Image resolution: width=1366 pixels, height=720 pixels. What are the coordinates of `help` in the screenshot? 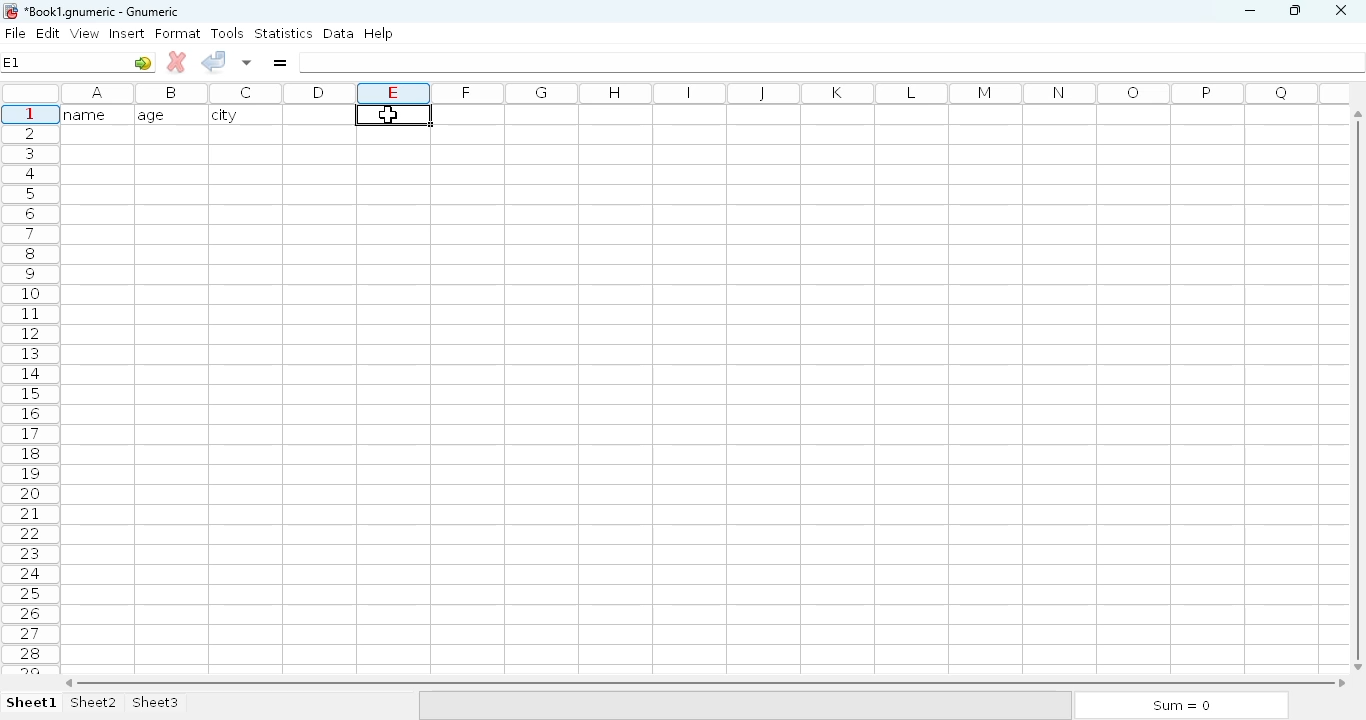 It's located at (378, 34).